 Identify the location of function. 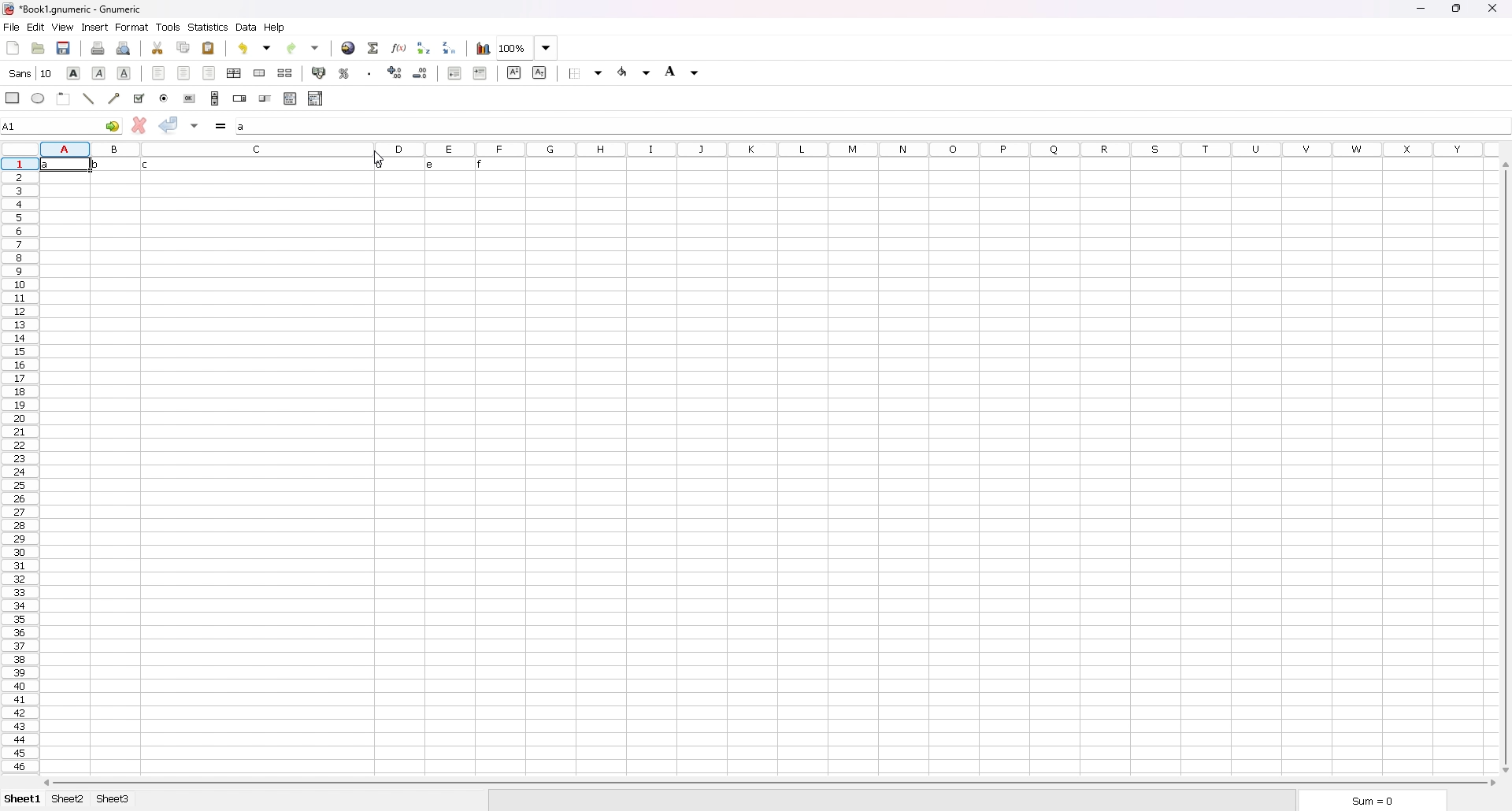
(399, 48).